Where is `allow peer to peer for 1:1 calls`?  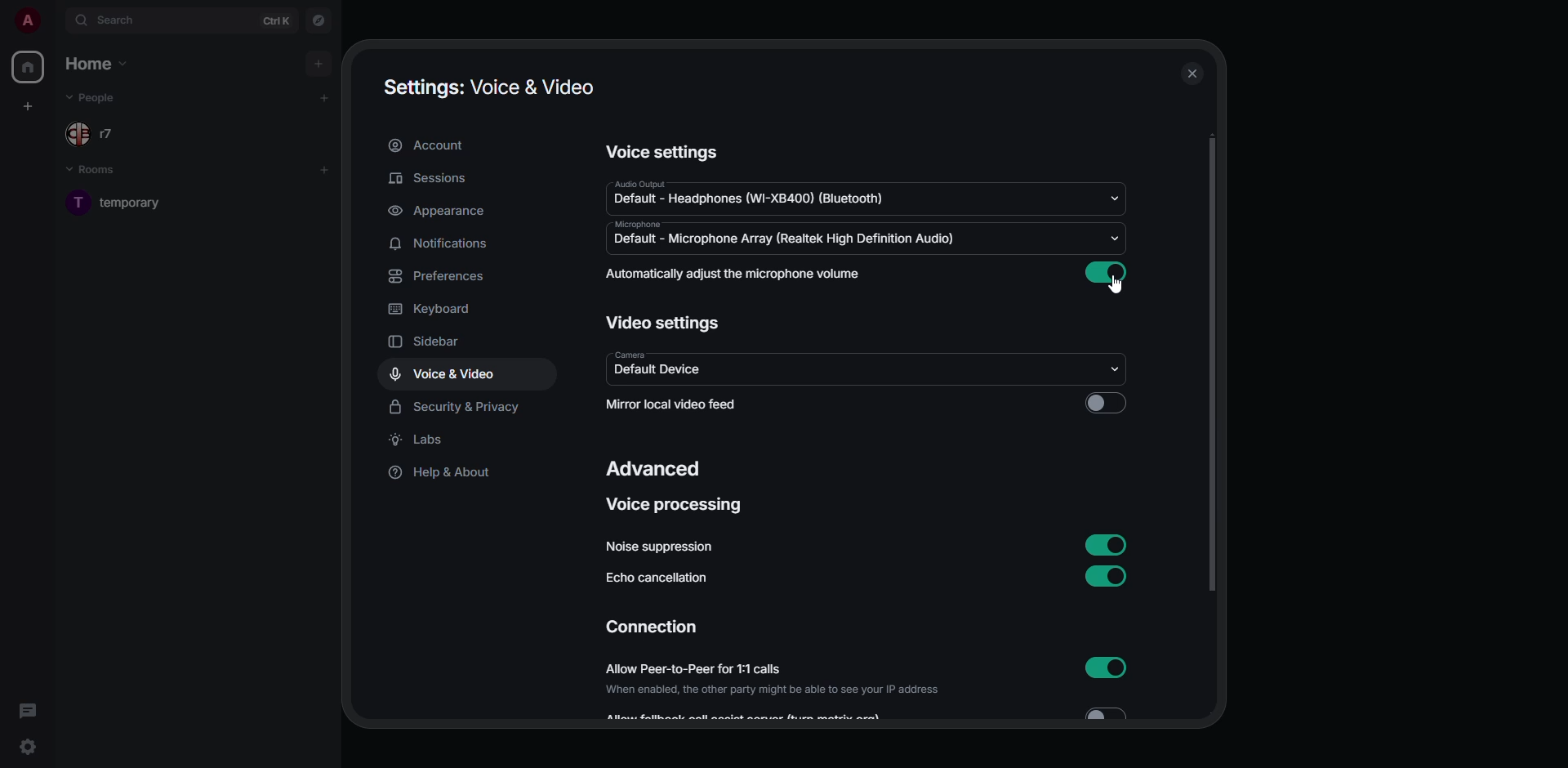
allow peer to peer for 1:1 calls is located at coordinates (702, 668).